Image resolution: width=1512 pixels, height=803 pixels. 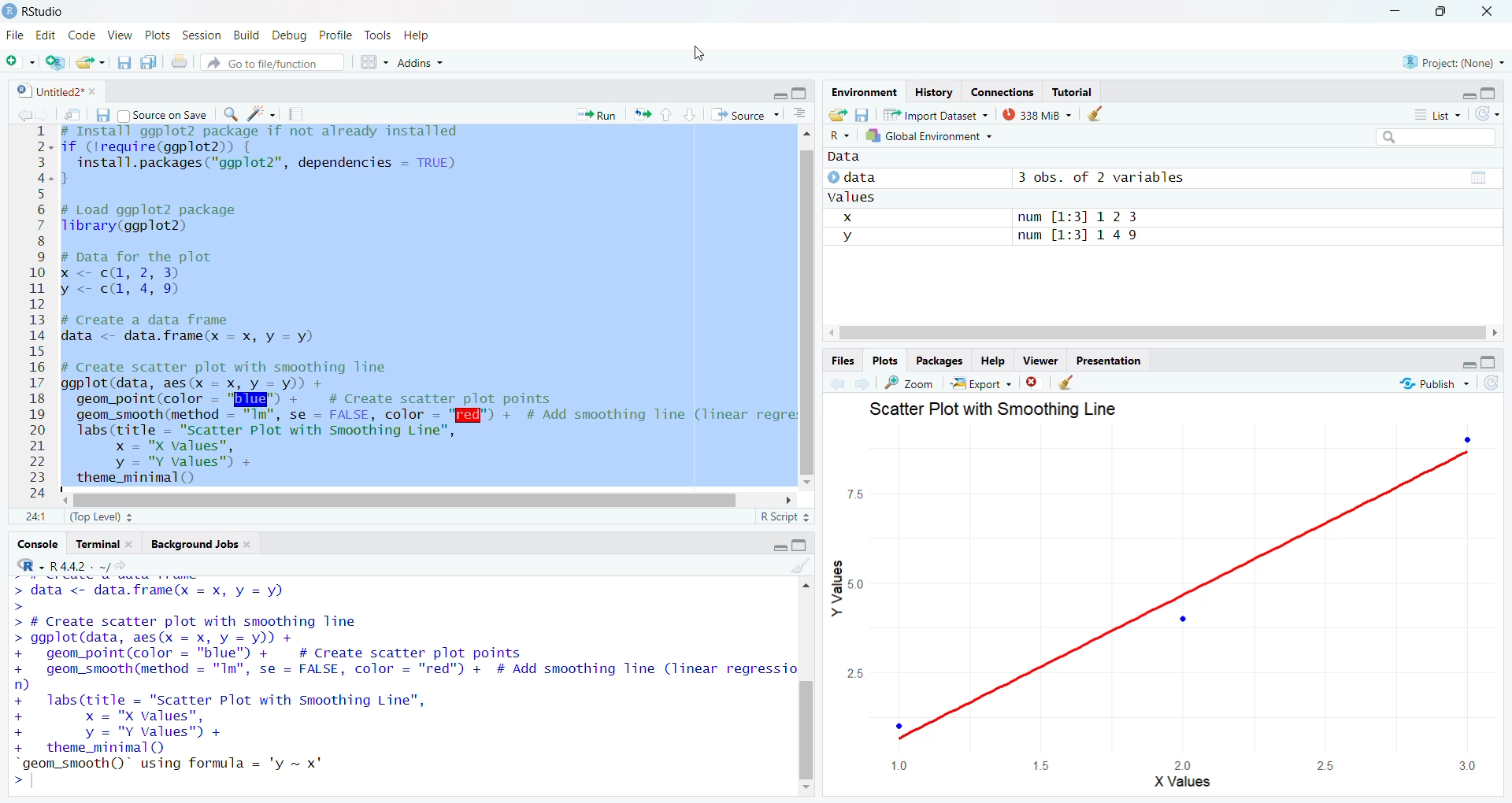 What do you see at coordinates (885, 360) in the screenshot?
I see `Plots` at bounding box center [885, 360].